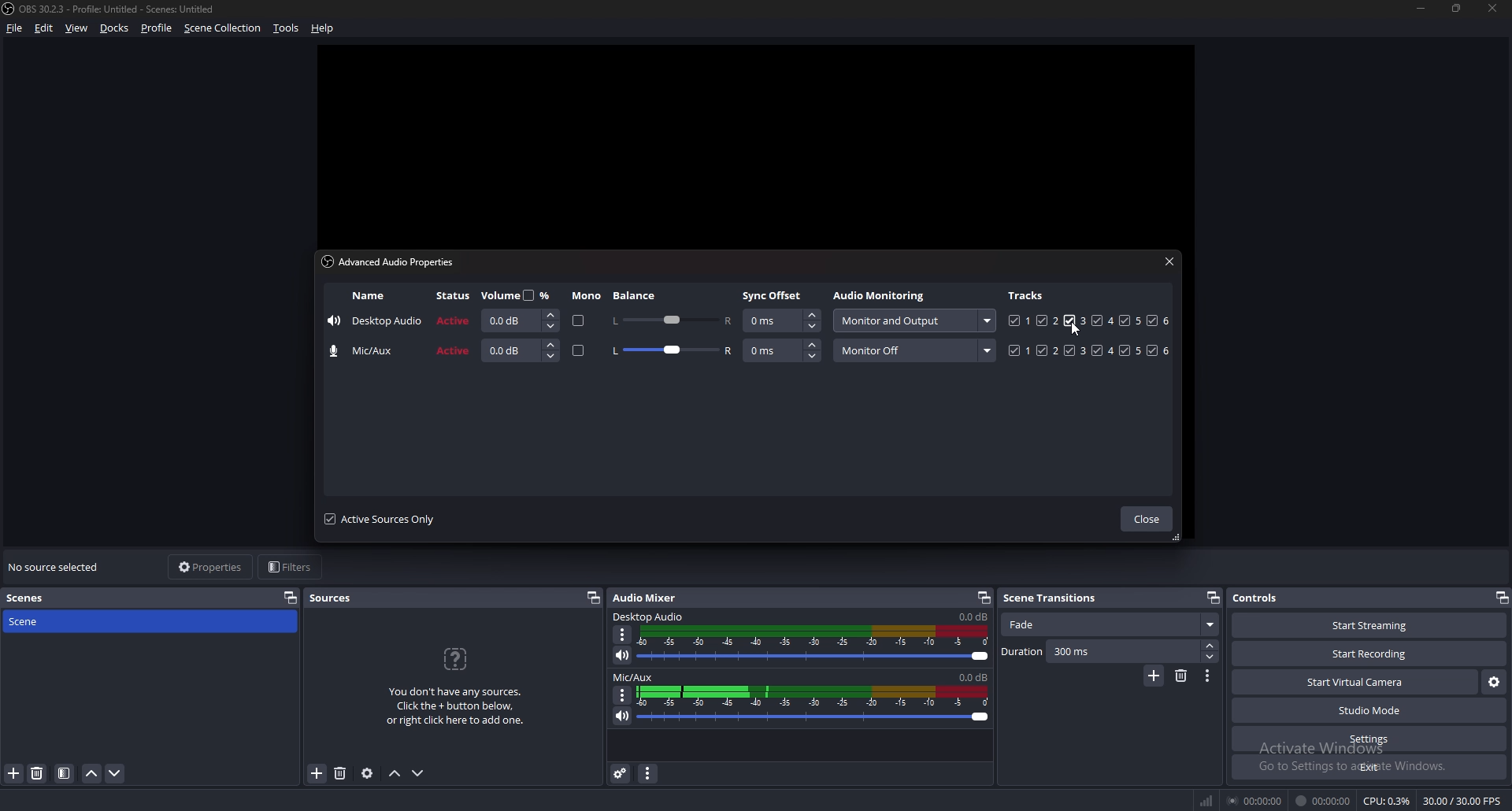  Describe the element at coordinates (971, 676) in the screenshot. I see `mic/aux sound` at that location.